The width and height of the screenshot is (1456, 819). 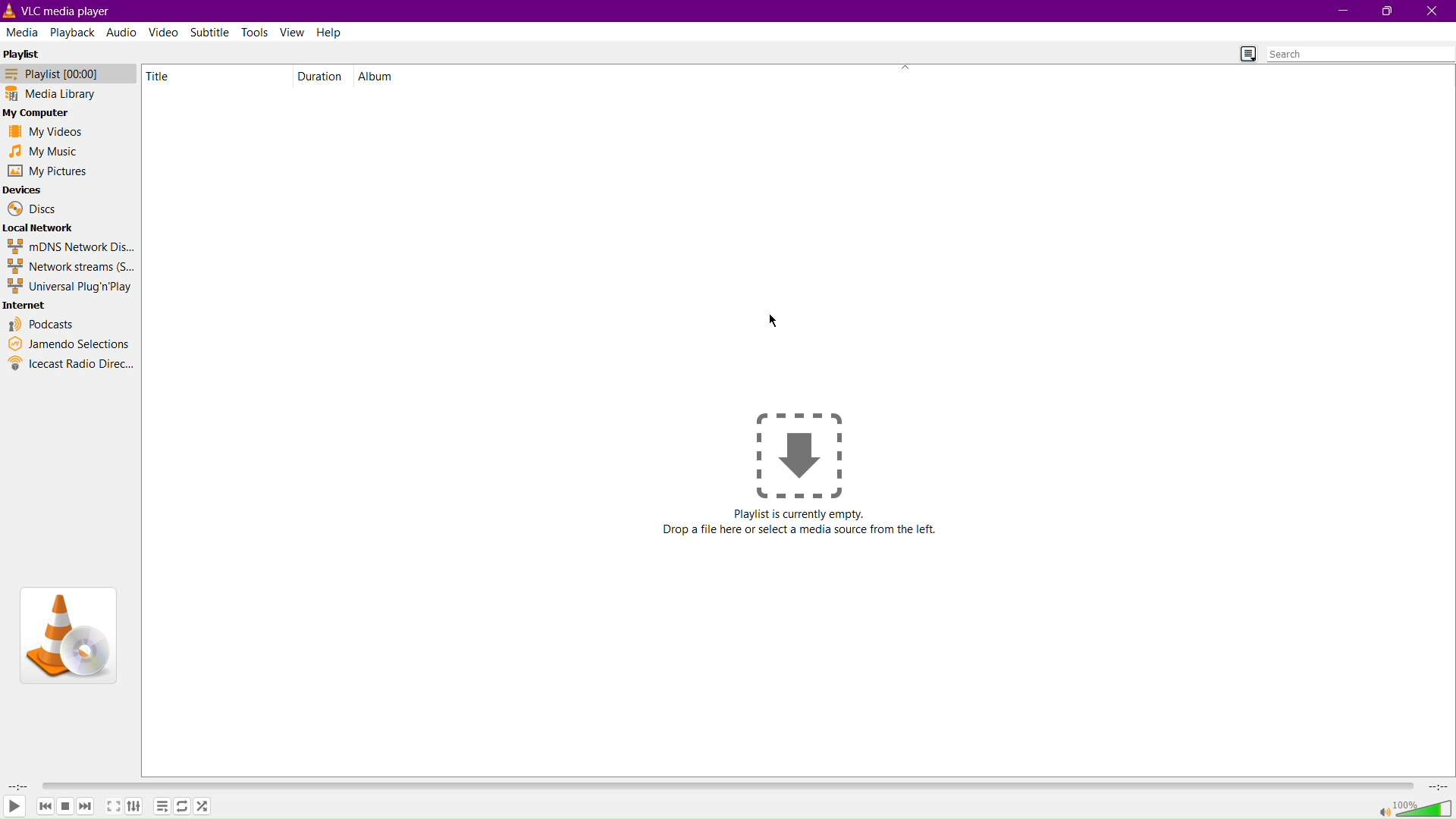 I want to click on Discs, so click(x=31, y=209).